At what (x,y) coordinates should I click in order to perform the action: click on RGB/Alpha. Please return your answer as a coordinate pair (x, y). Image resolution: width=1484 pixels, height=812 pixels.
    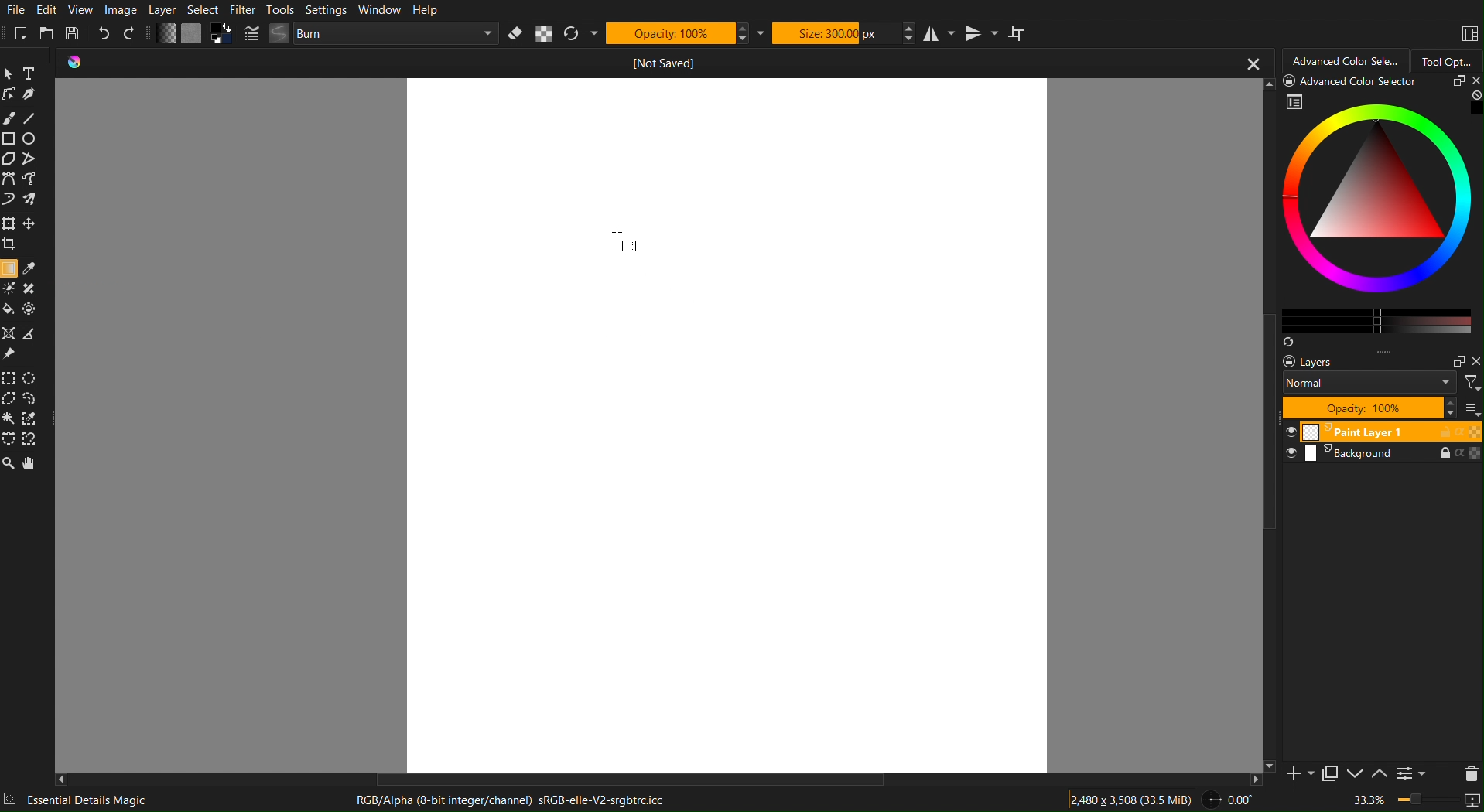
    Looking at the image, I should click on (517, 800).